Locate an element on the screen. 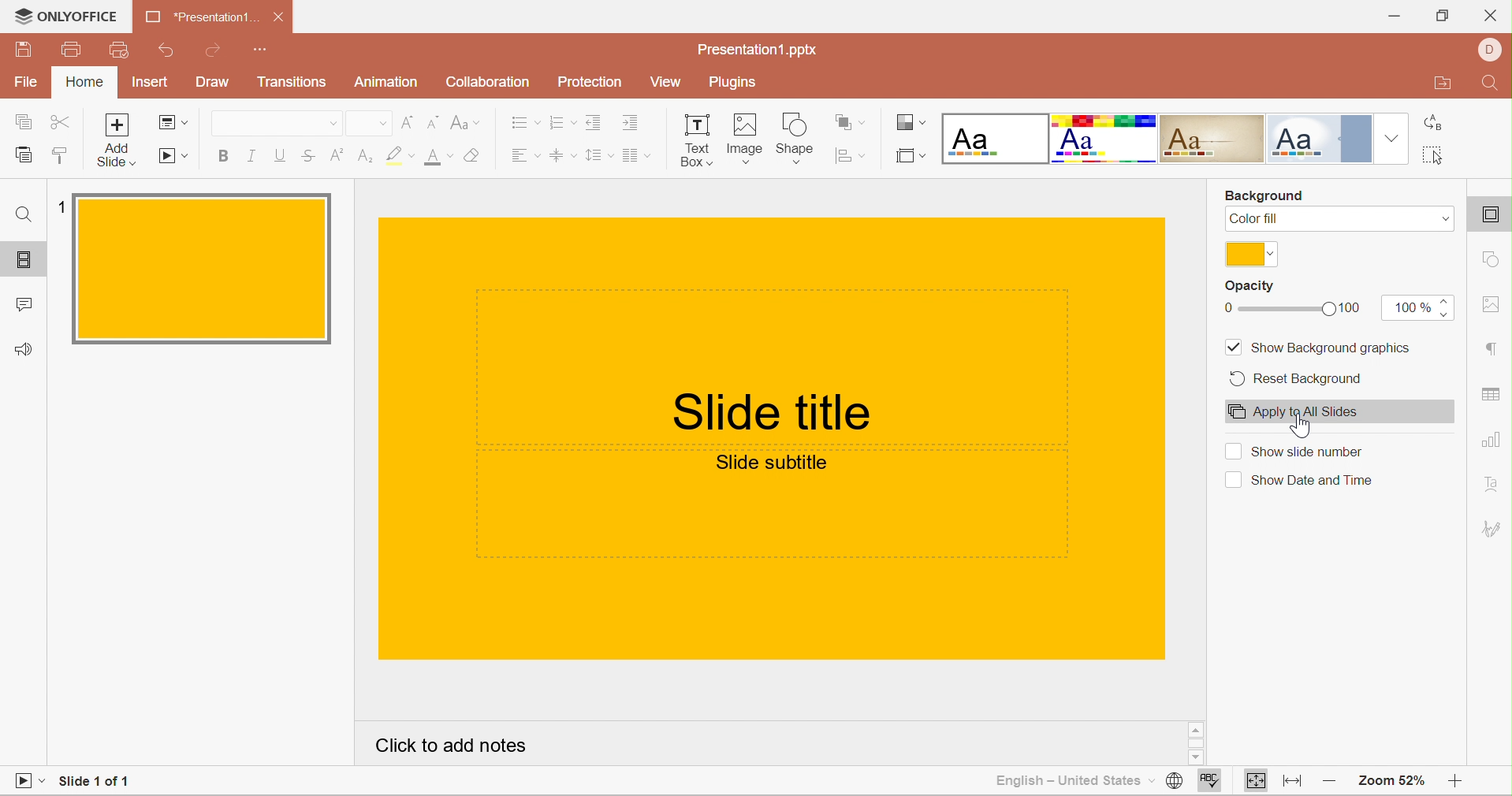  Change case is located at coordinates (462, 121).